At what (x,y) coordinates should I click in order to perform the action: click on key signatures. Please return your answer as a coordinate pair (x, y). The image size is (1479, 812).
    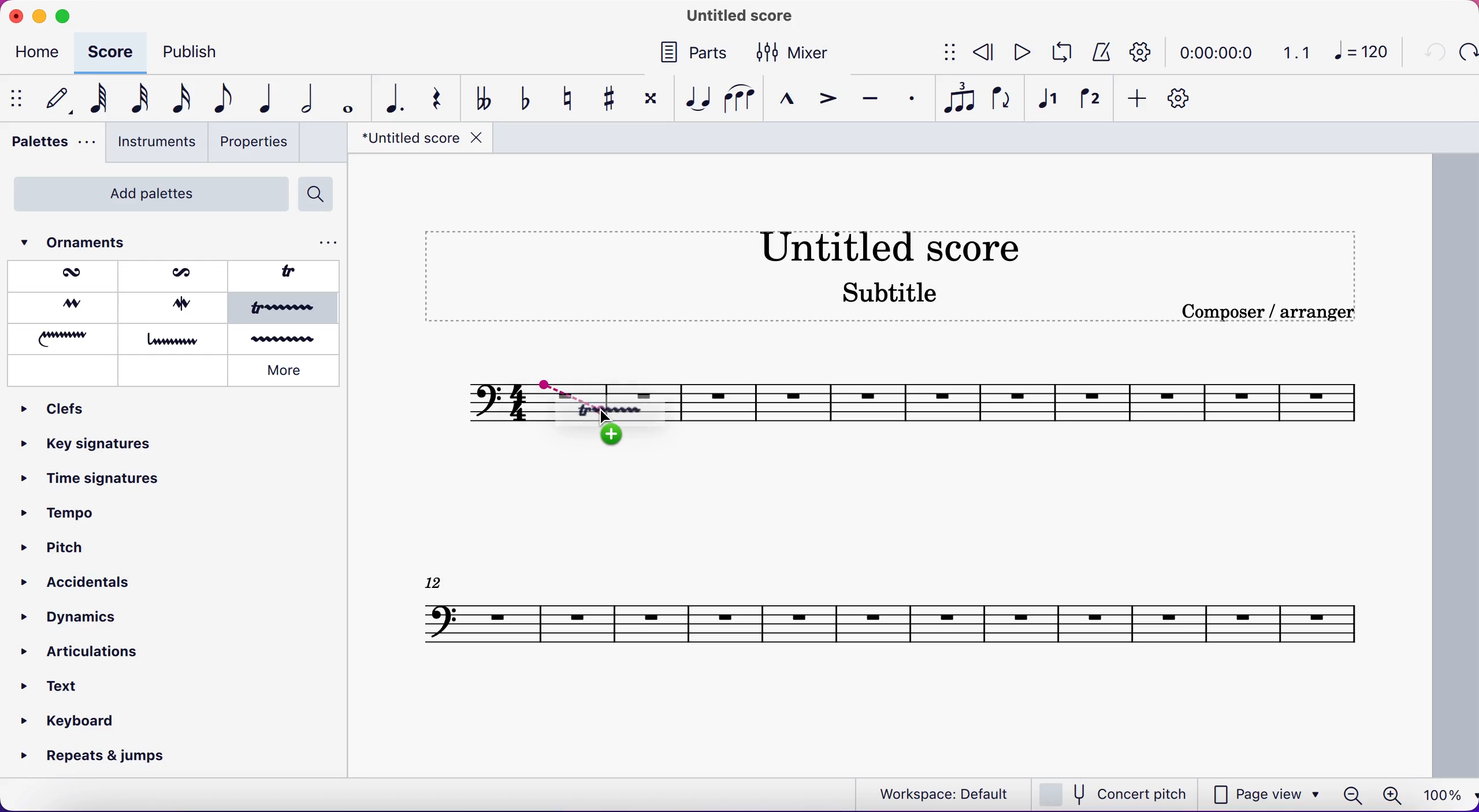
    Looking at the image, I should click on (90, 449).